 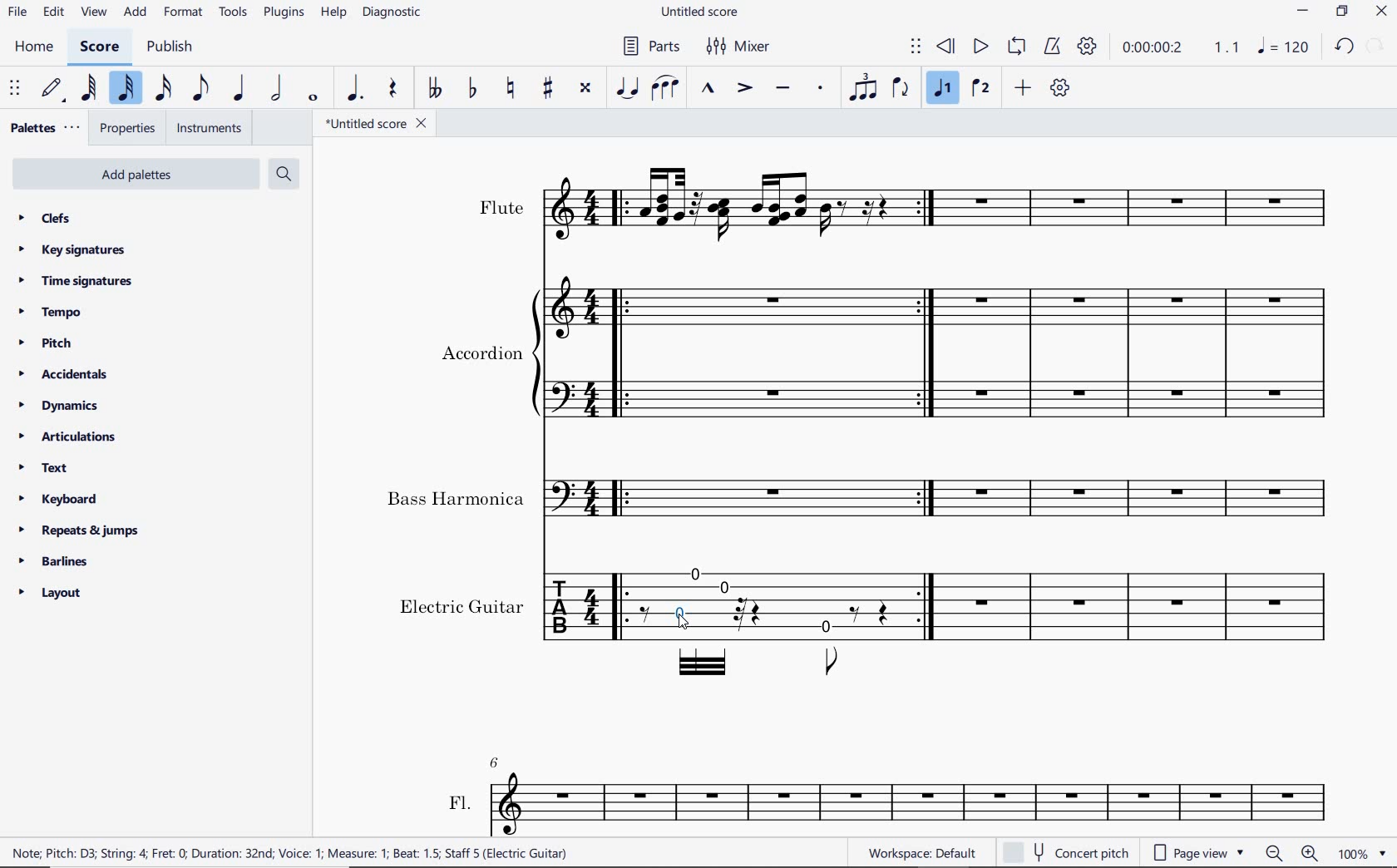 I want to click on diagnostic, so click(x=391, y=15).